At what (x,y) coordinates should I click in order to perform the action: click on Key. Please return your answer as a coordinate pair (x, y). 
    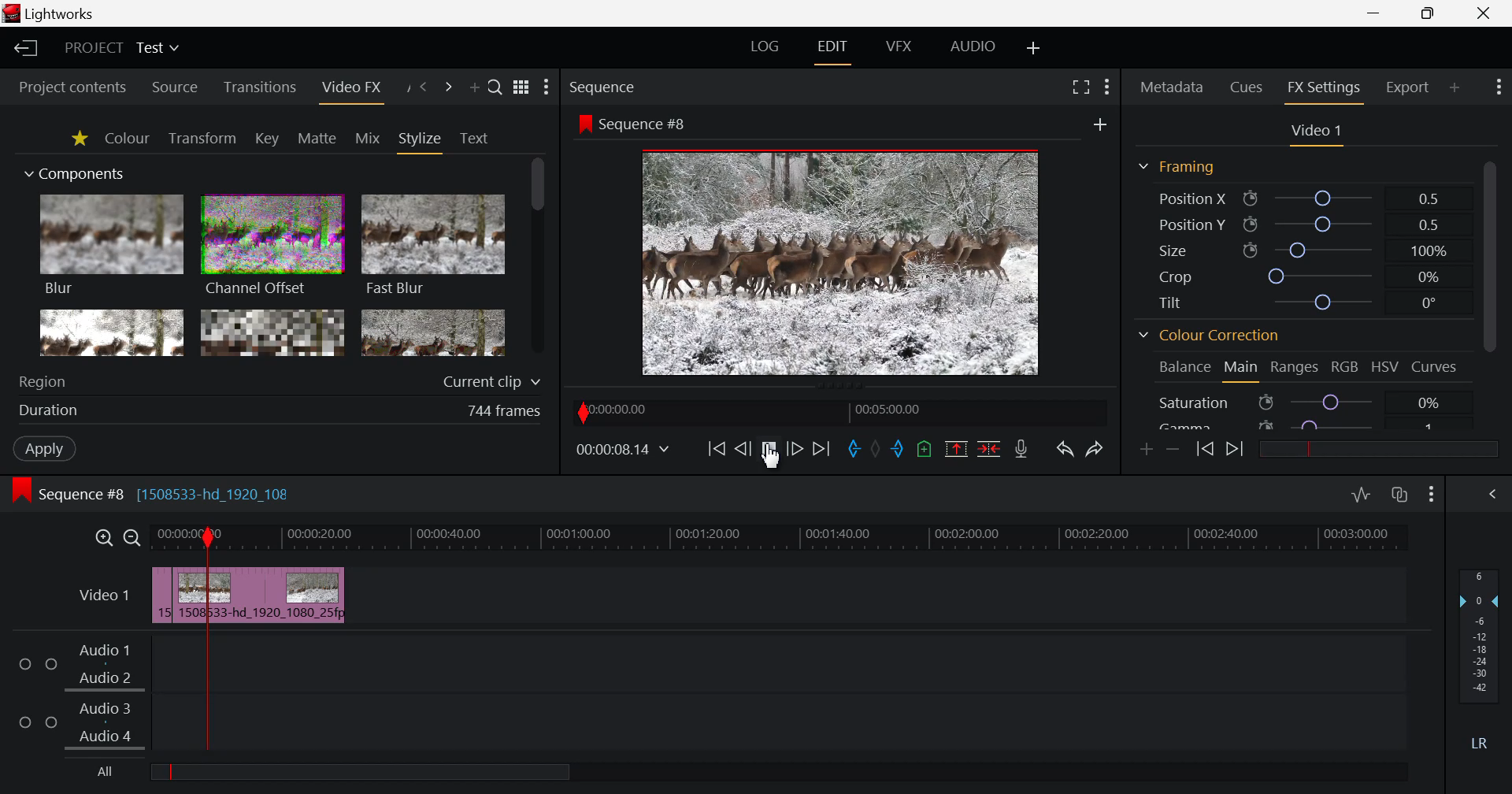
    Looking at the image, I should click on (266, 139).